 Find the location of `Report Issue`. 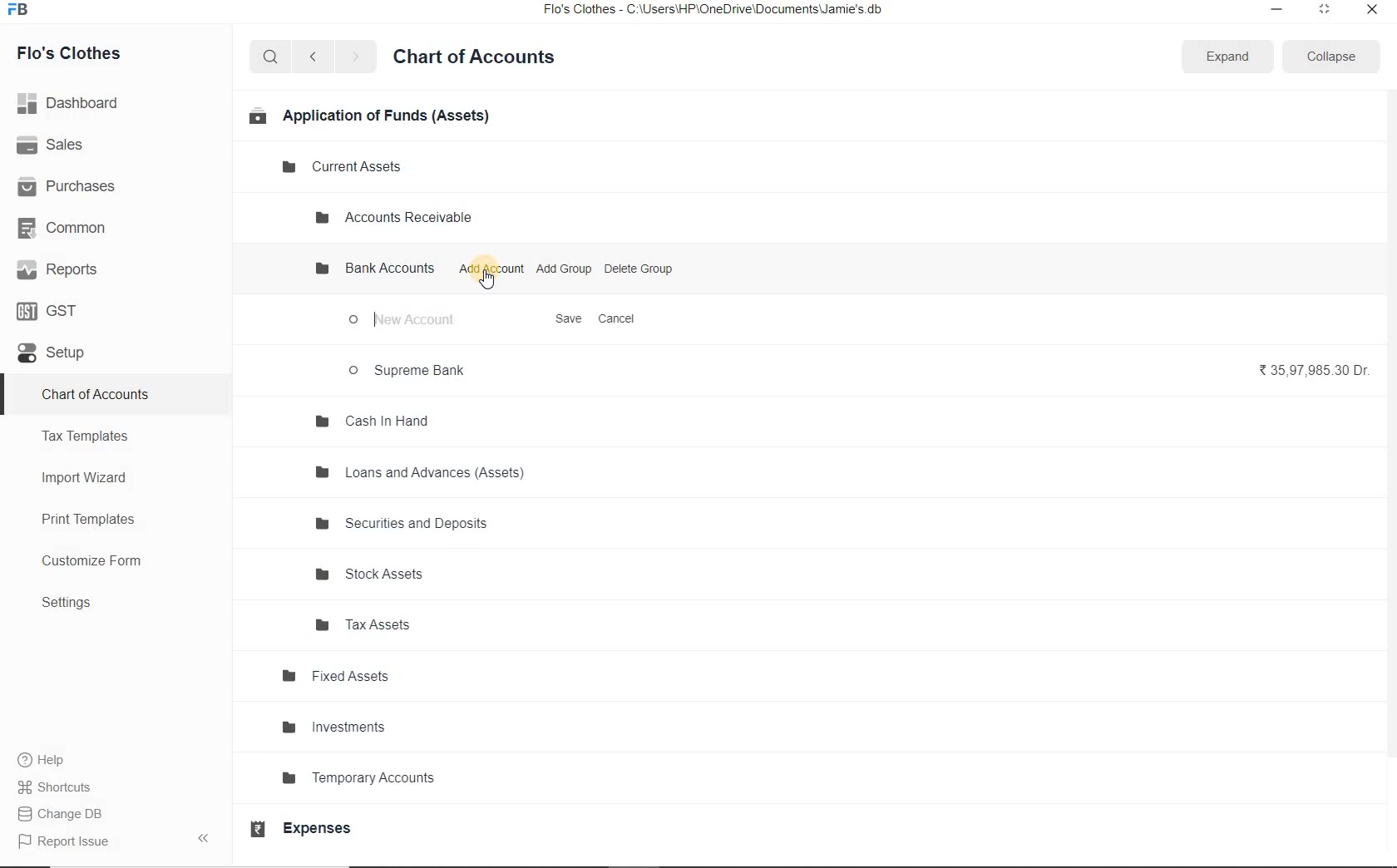

Report Issue is located at coordinates (63, 841).